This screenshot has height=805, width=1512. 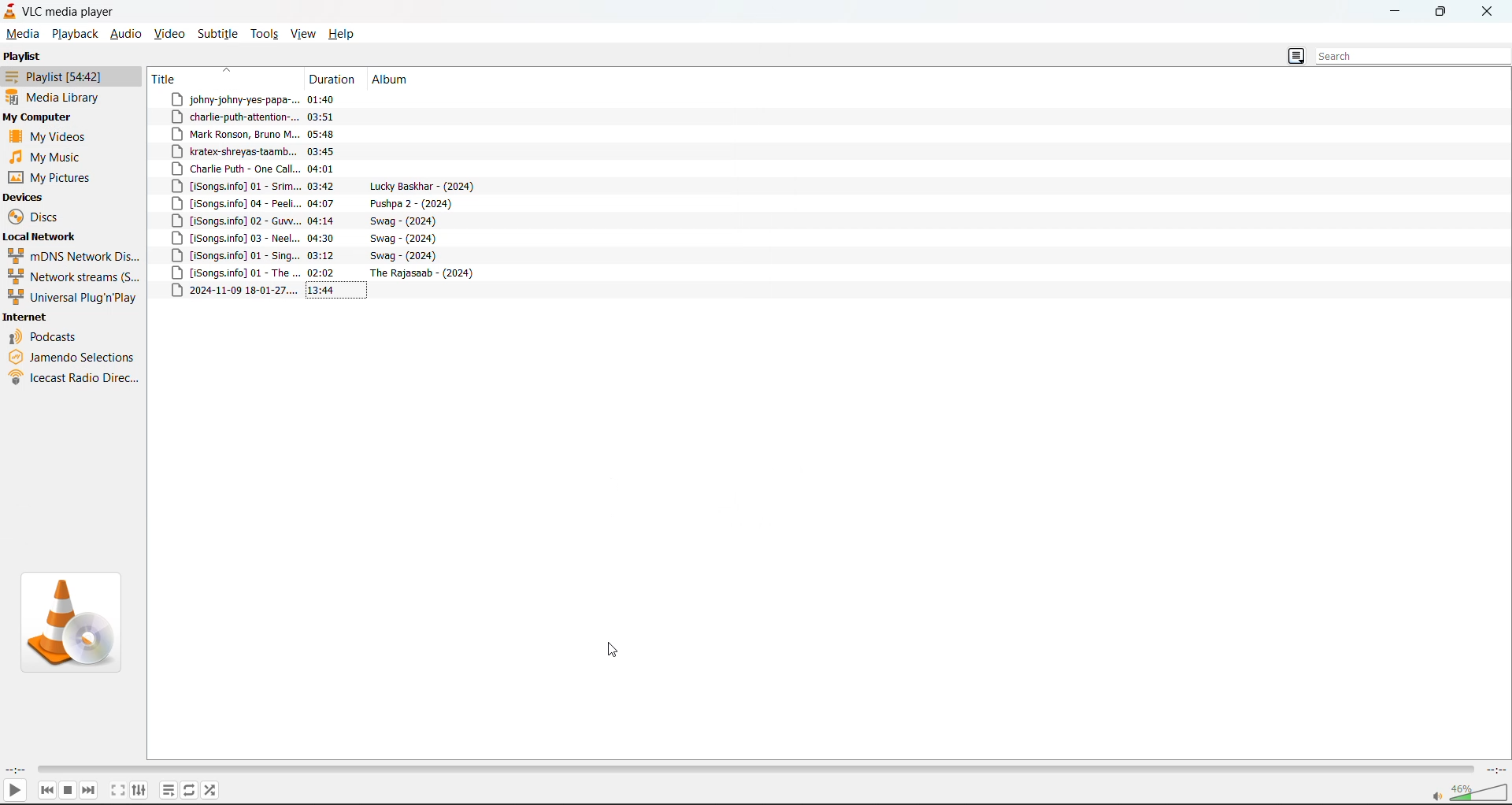 I want to click on media, so click(x=23, y=34).